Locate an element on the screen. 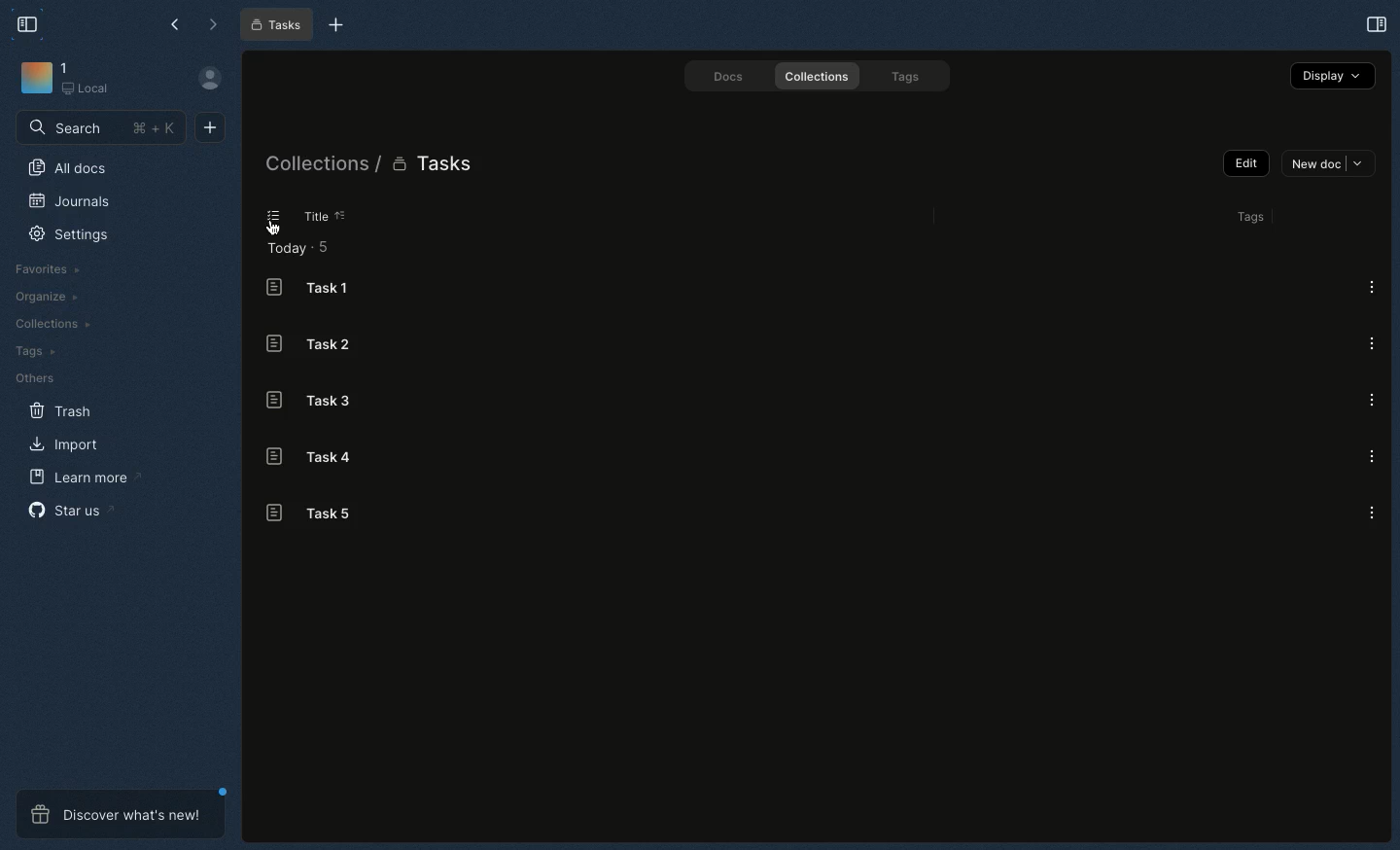 Image resolution: width=1400 pixels, height=850 pixels. Collapse sidebar is located at coordinates (29, 24).